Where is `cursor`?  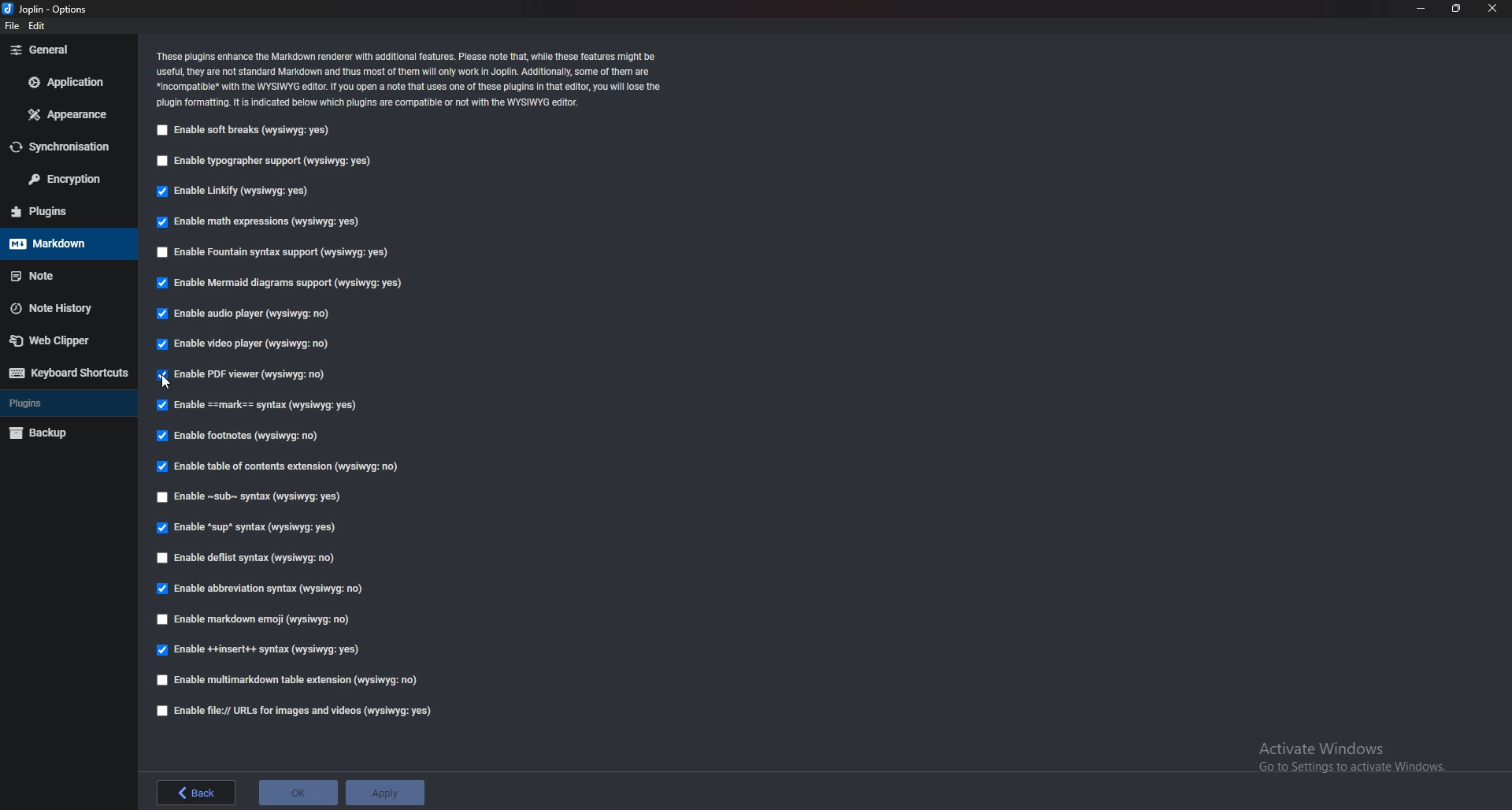 cursor is located at coordinates (168, 386).